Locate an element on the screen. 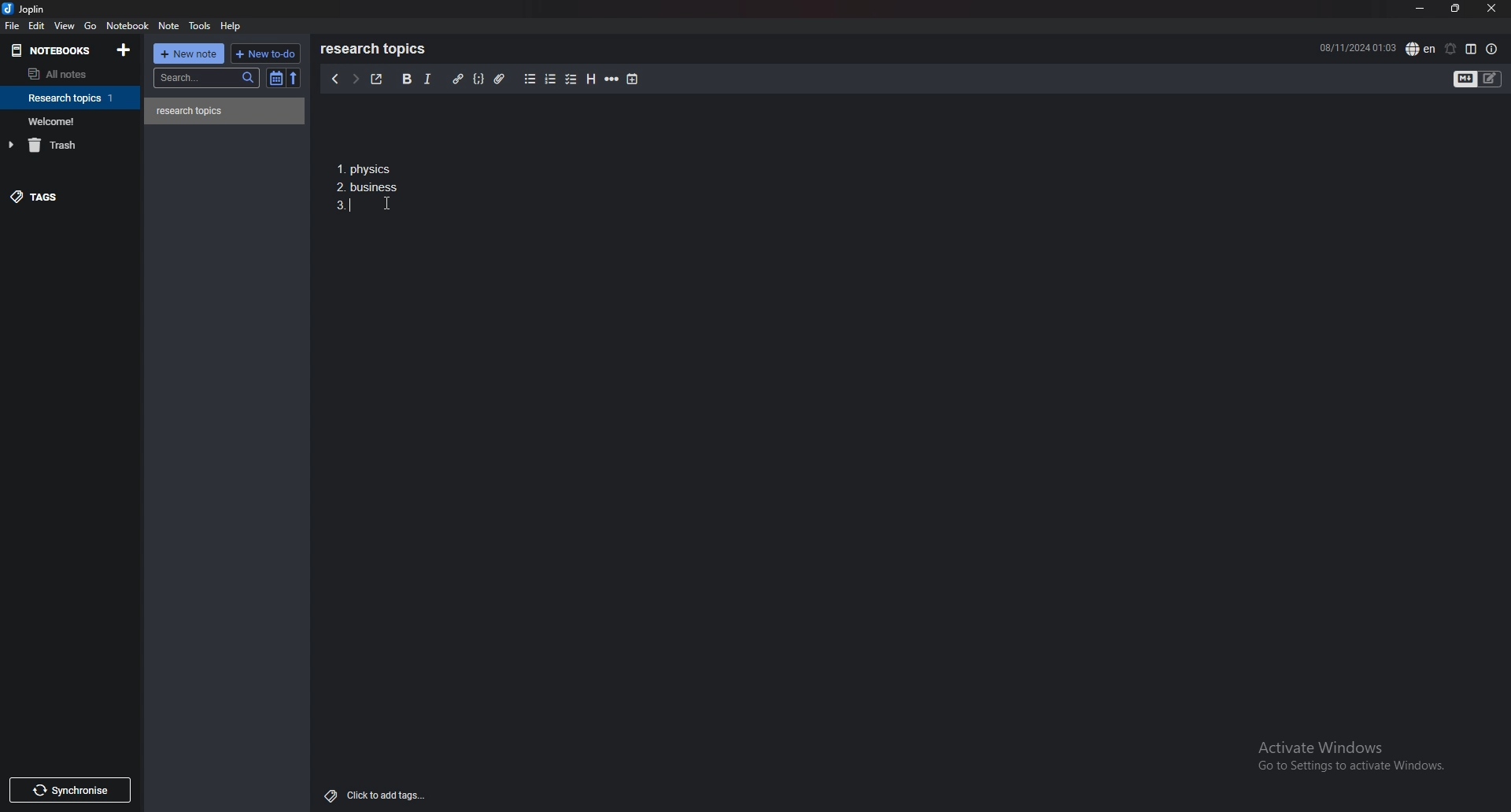 The image size is (1511, 812). bullet list is located at coordinates (530, 79).